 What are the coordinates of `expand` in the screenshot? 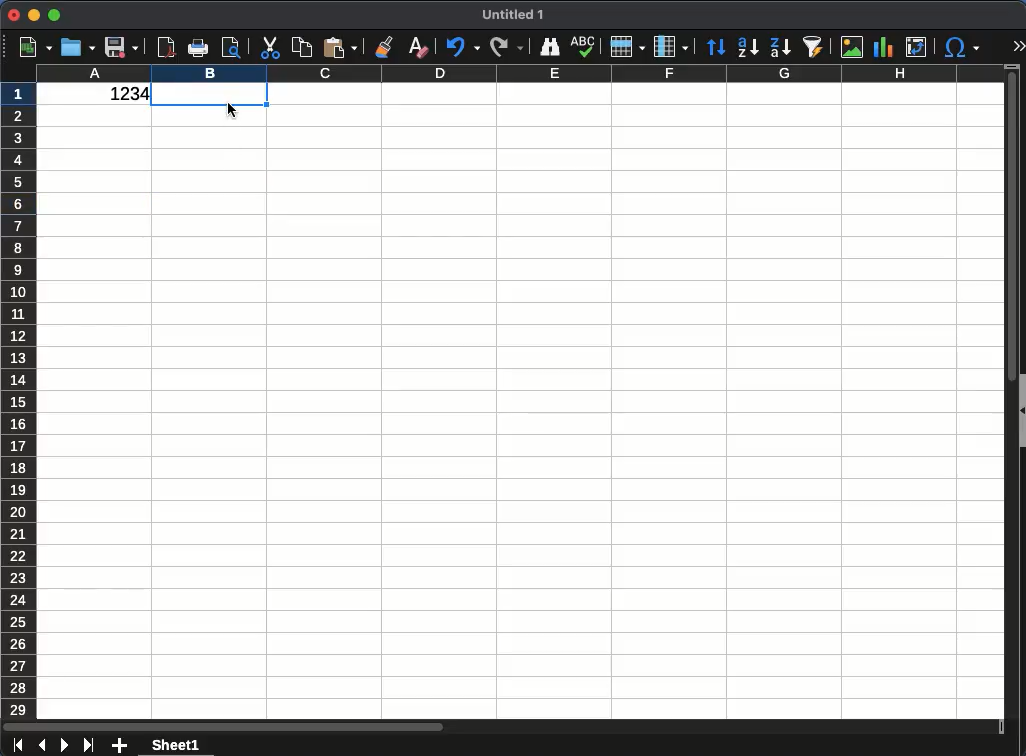 It's located at (1017, 47).